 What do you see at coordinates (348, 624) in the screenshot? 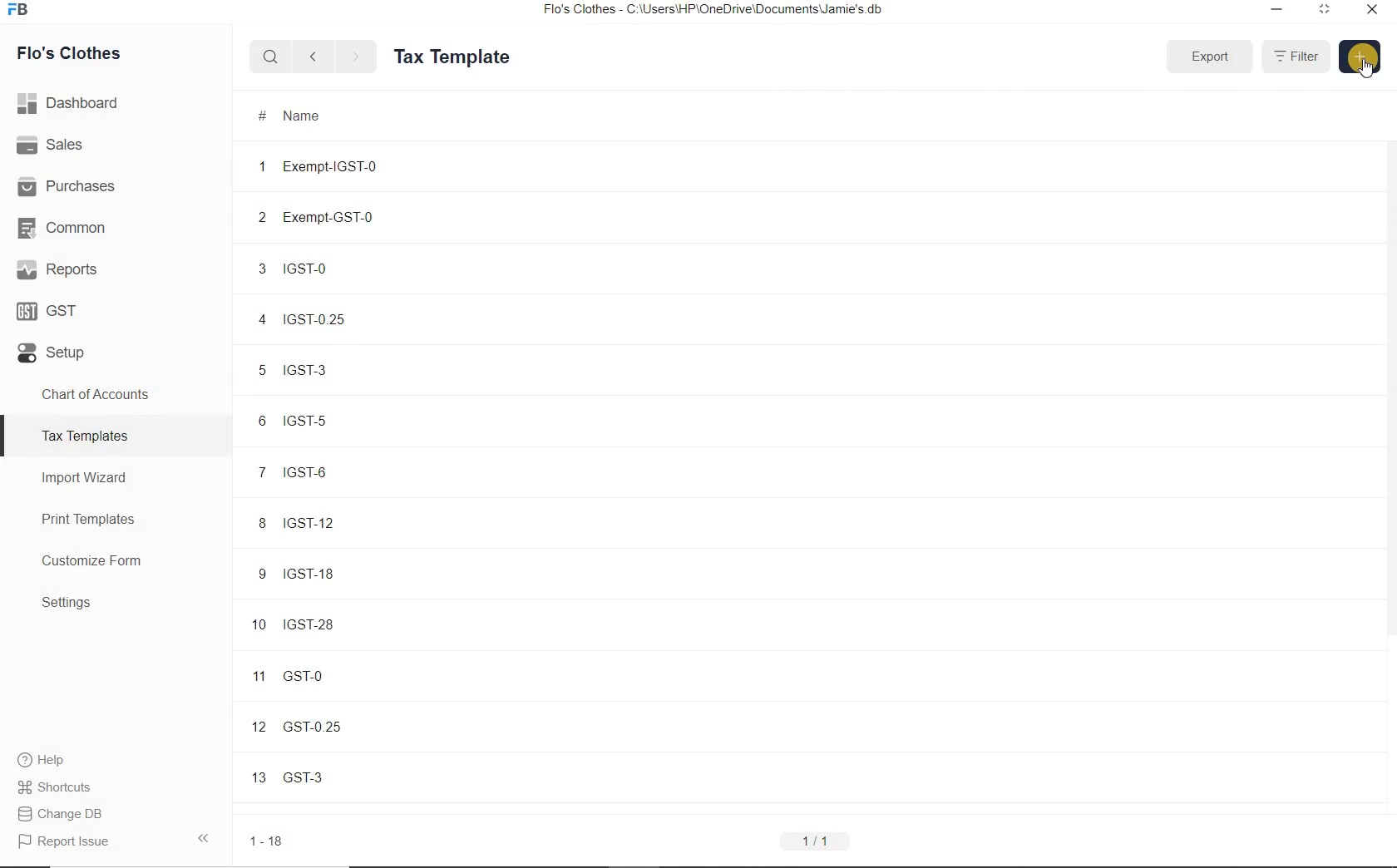
I see `10 1GST-28` at bounding box center [348, 624].